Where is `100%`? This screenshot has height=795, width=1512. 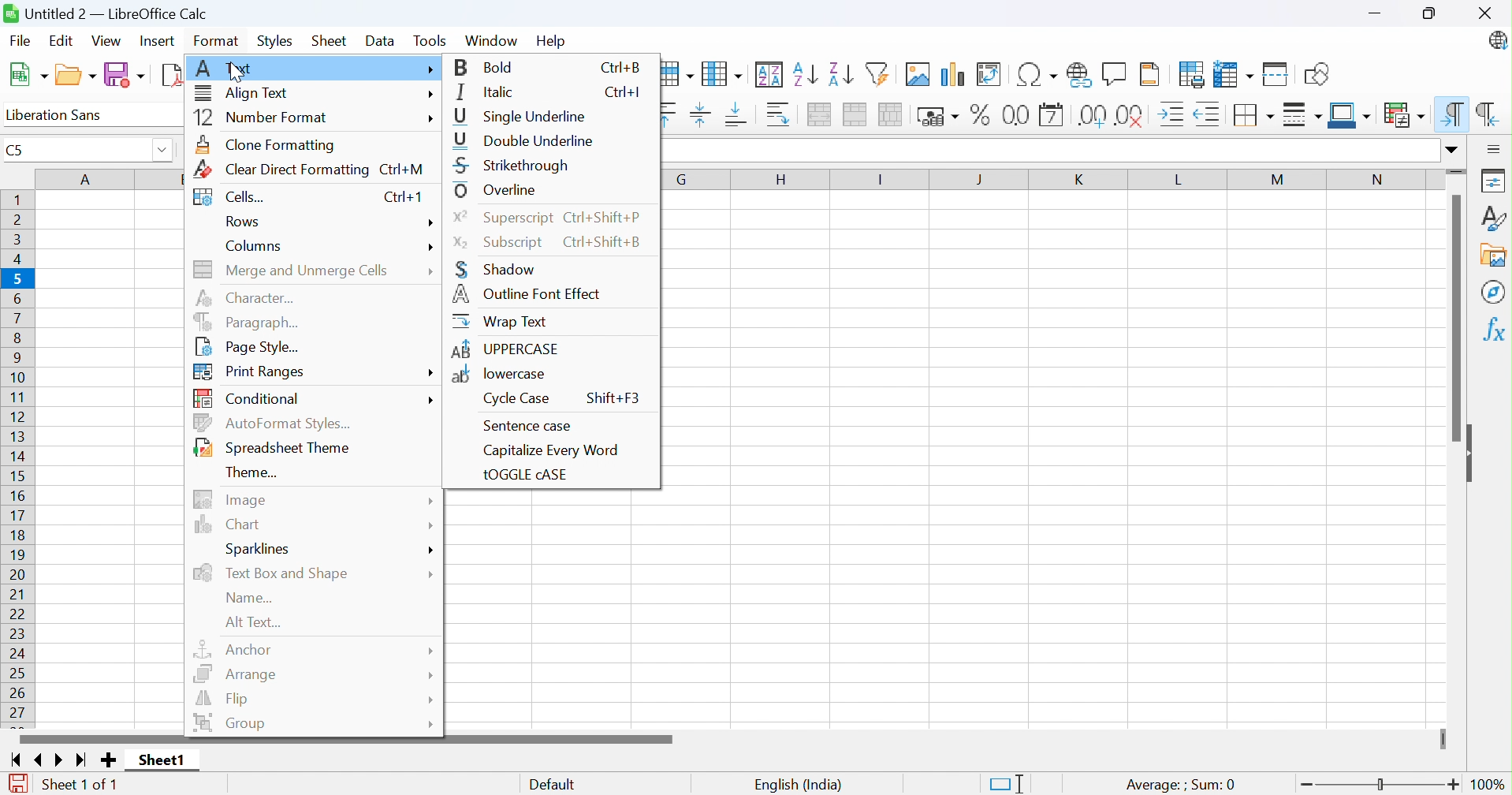 100% is located at coordinates (1489, 786).